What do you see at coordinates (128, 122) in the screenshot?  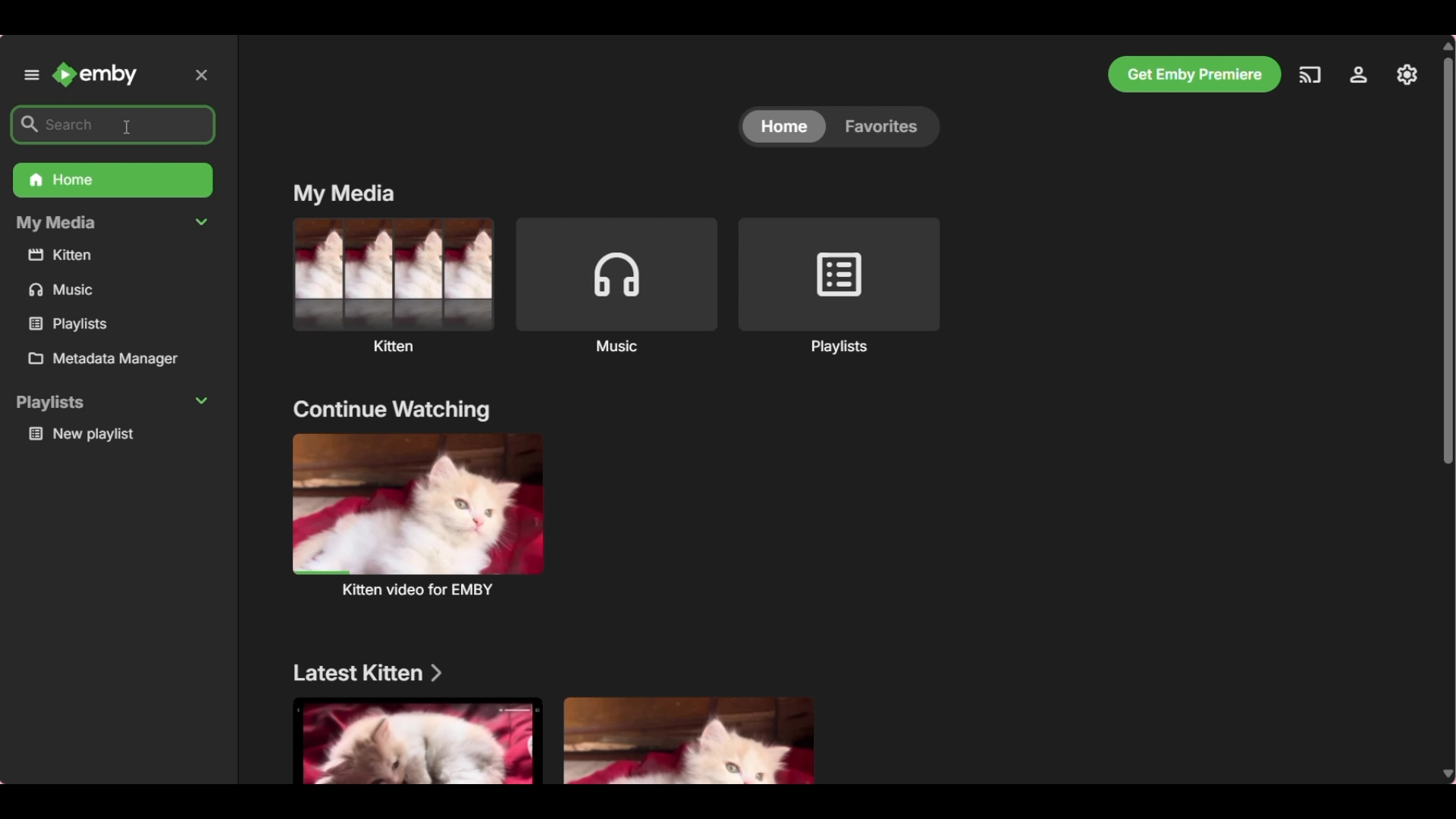 I see `cursor` at bounding box center [128, 122].